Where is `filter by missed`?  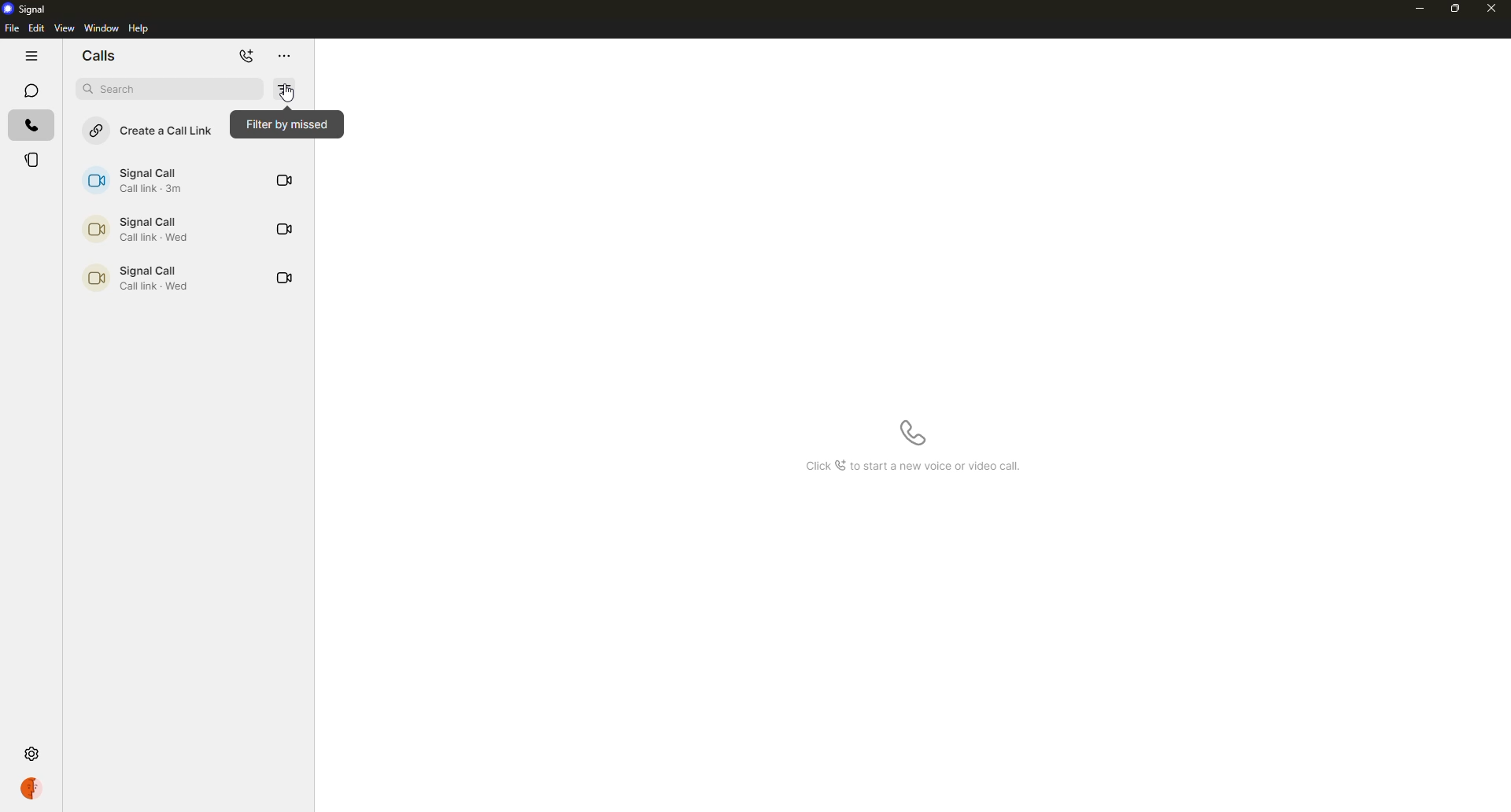
filter by missed is located at coordinates (284, 91).